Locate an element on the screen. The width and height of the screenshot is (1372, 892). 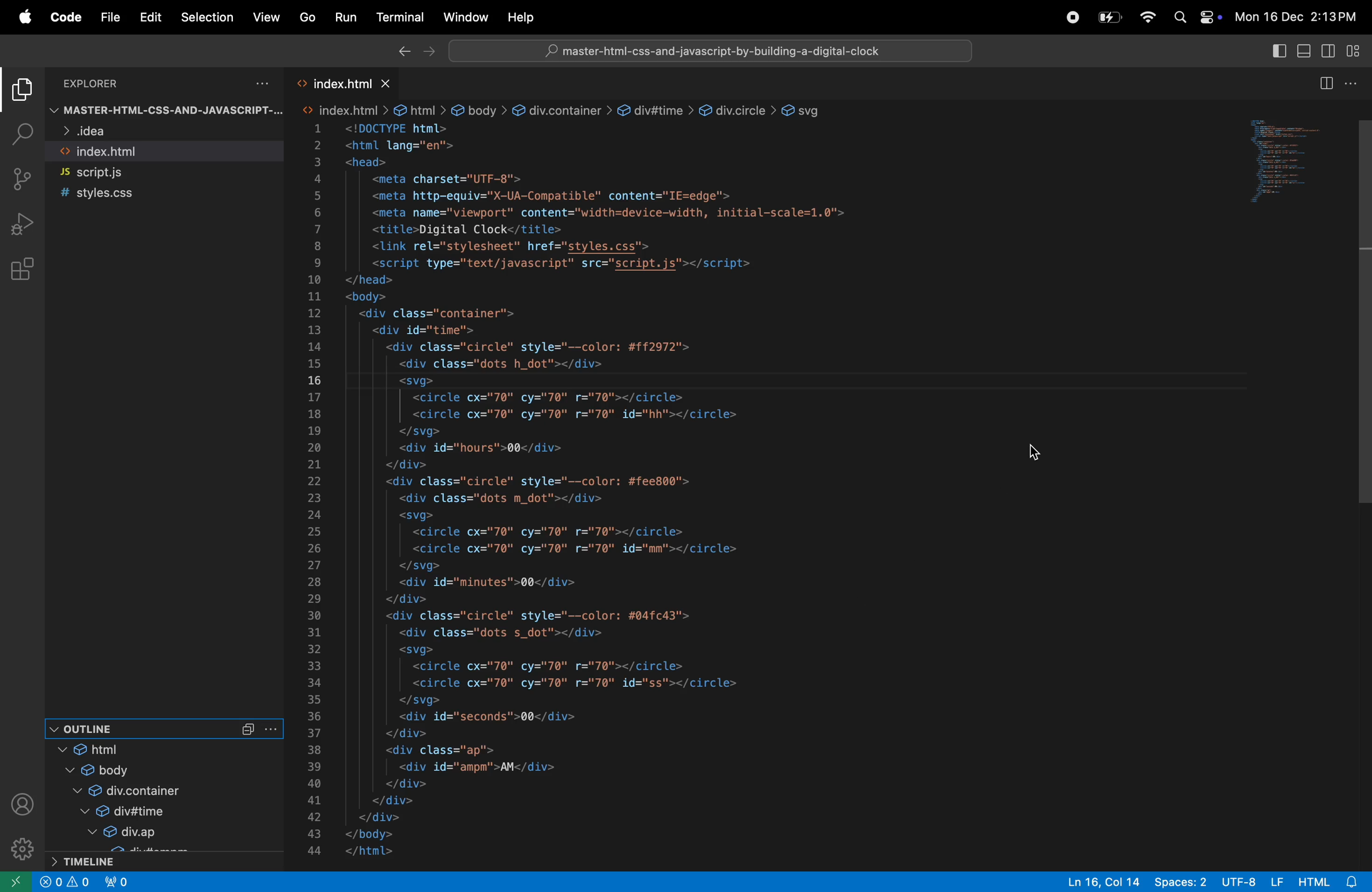
help is located at coordinates (523, 17).